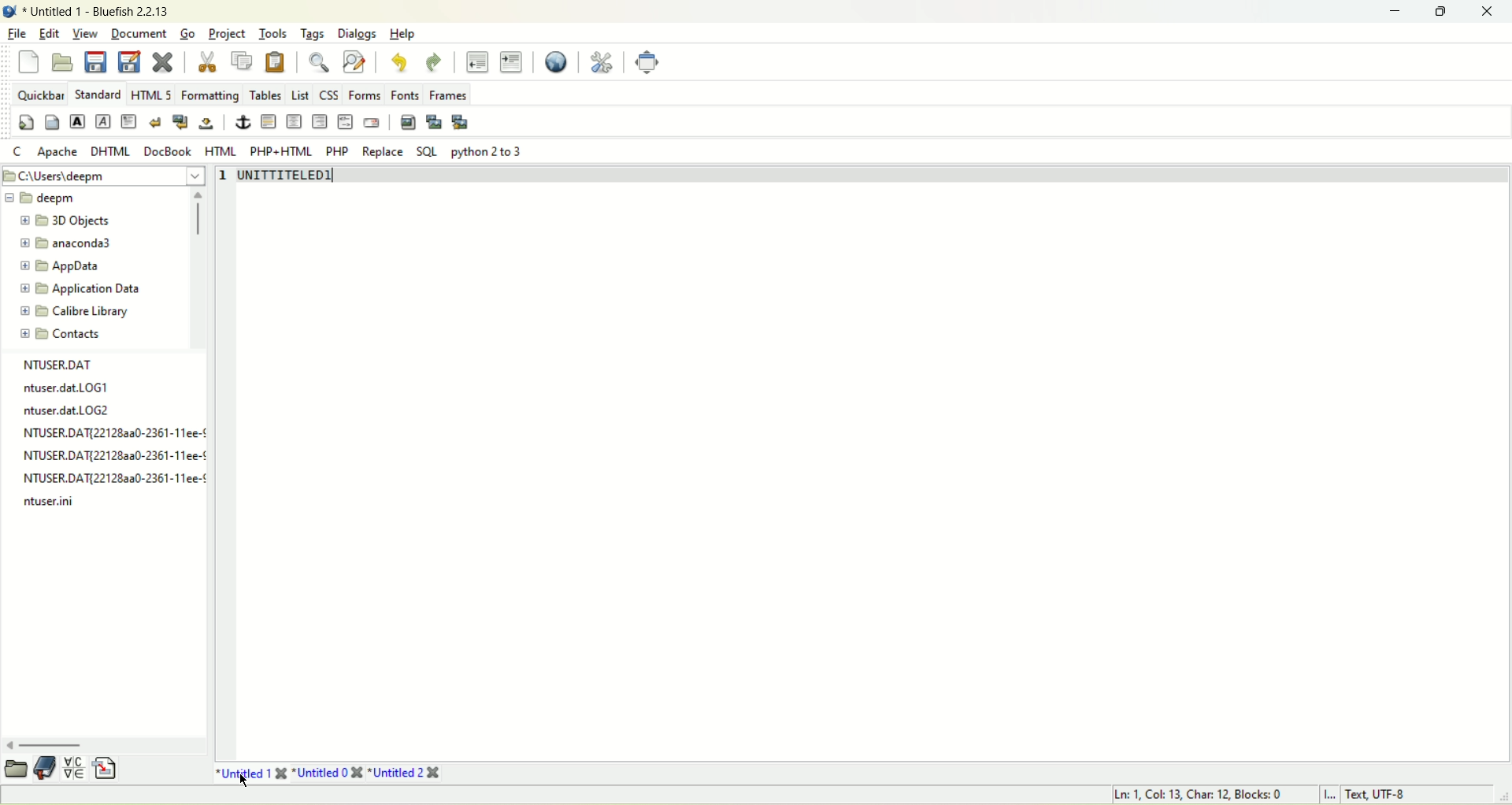 This screenshot has height=805, width=1512. Describe the element at coordinates (113, 456) in the screenshot. I see `NTUSER.DAT{22128aa0-2361-11ee-¢` at that location.